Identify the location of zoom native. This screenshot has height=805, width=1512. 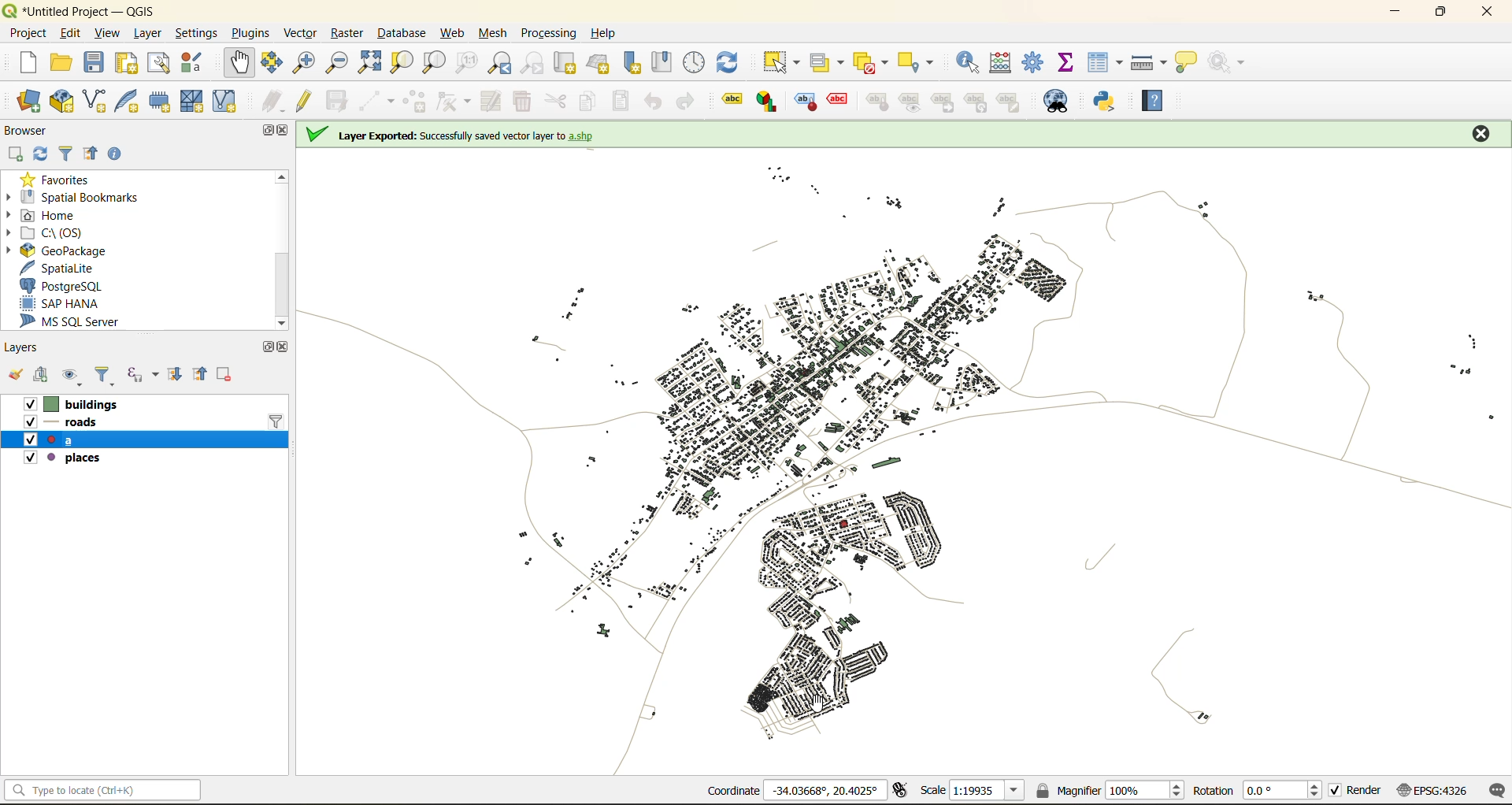
(471, 63).